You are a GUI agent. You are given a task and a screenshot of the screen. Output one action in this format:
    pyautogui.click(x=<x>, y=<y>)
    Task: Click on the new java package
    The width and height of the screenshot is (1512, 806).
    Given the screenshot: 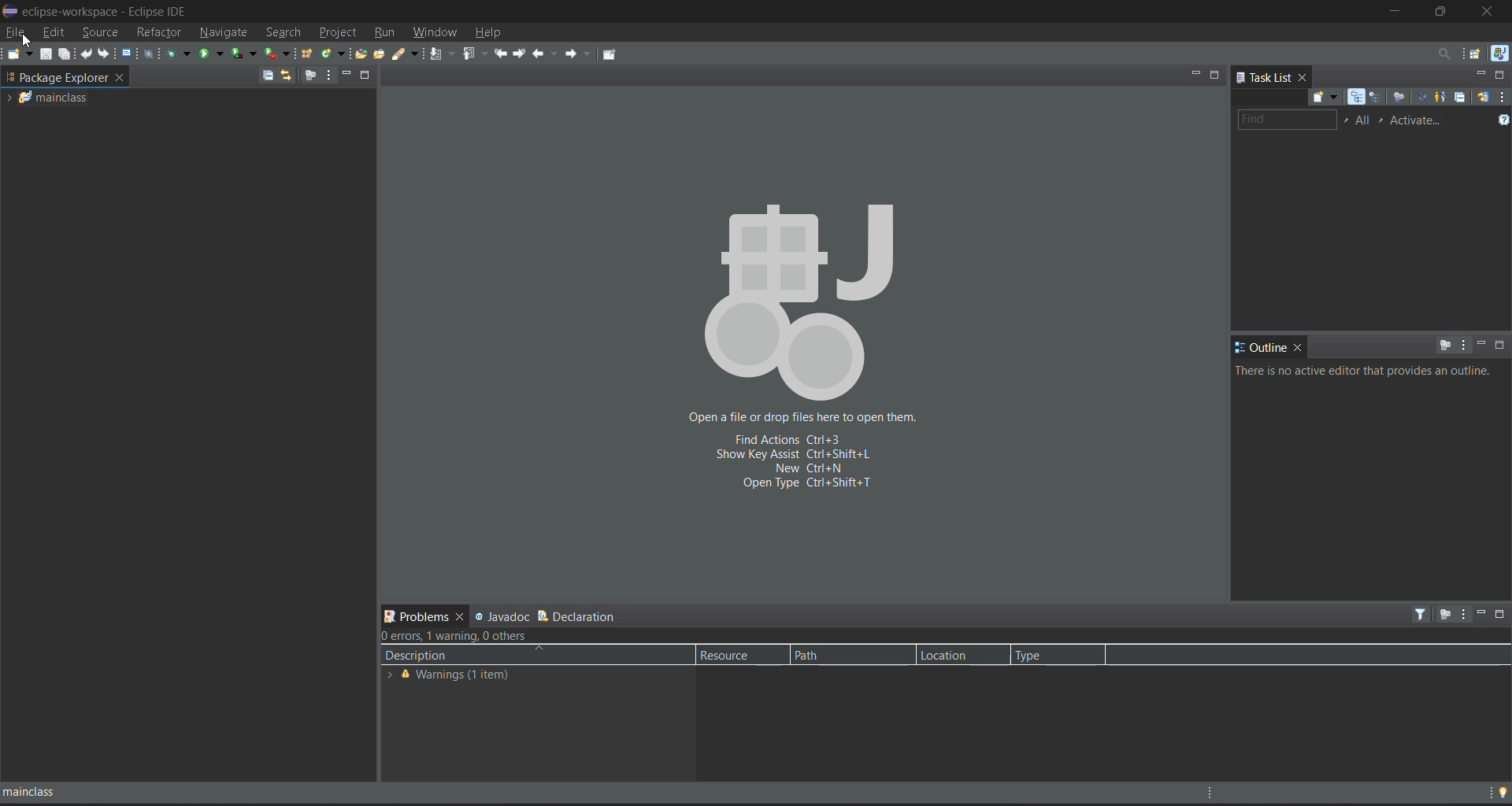 What is the action you would take?
    pyautogui.click(x=308, y=54)
    